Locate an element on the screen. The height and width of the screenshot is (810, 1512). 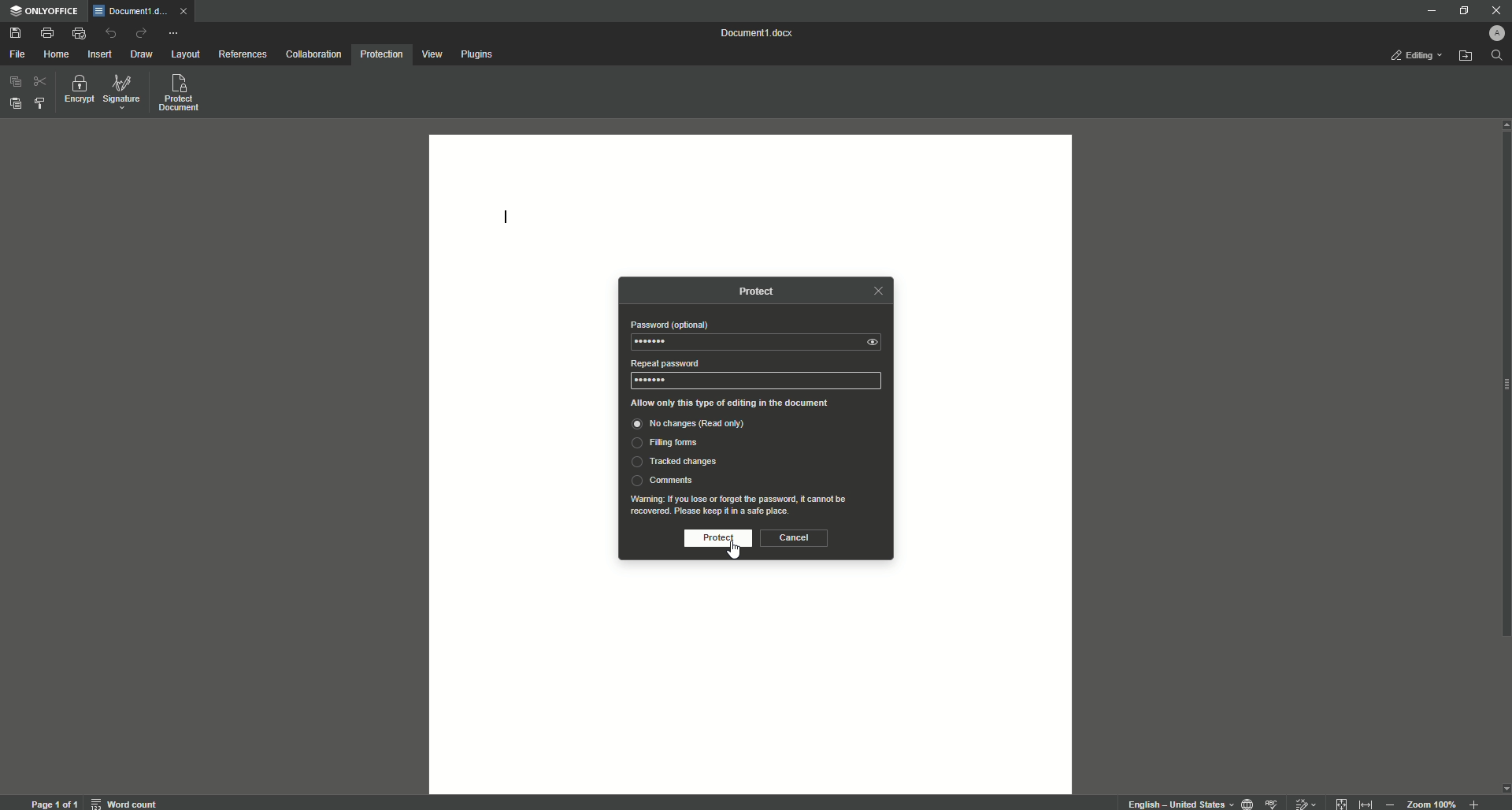
scroll down is located at coordinates (1503, 788).